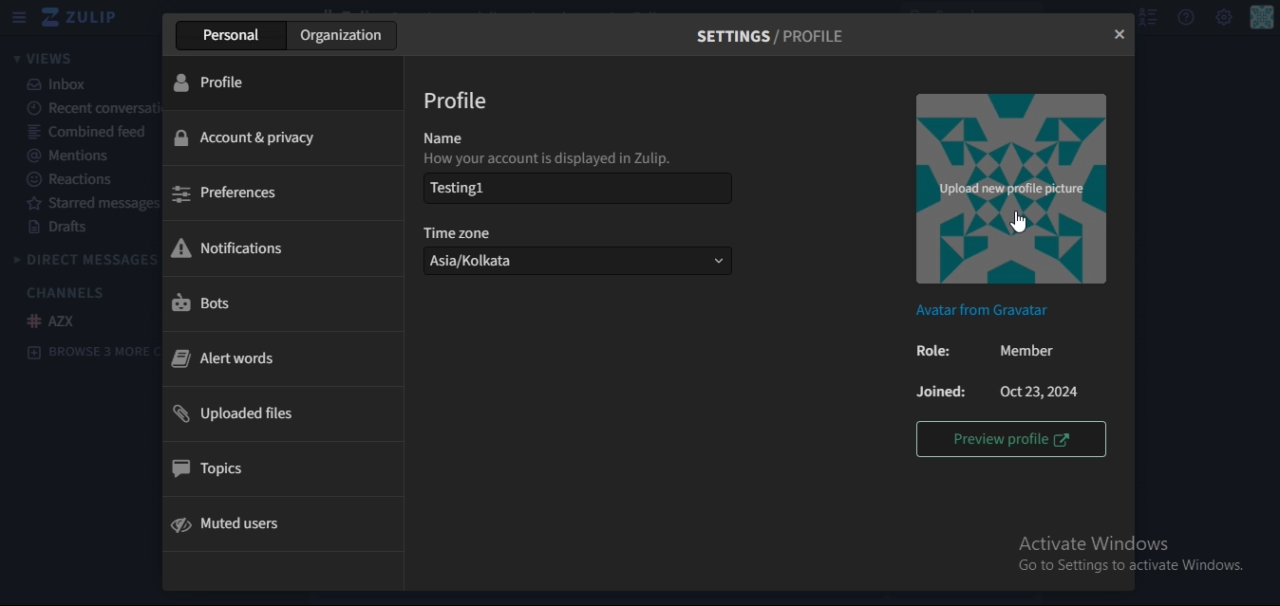 Image resolution: width=1280 pixels, height=606 pixels. I want to click on bots, so click(206, 303).